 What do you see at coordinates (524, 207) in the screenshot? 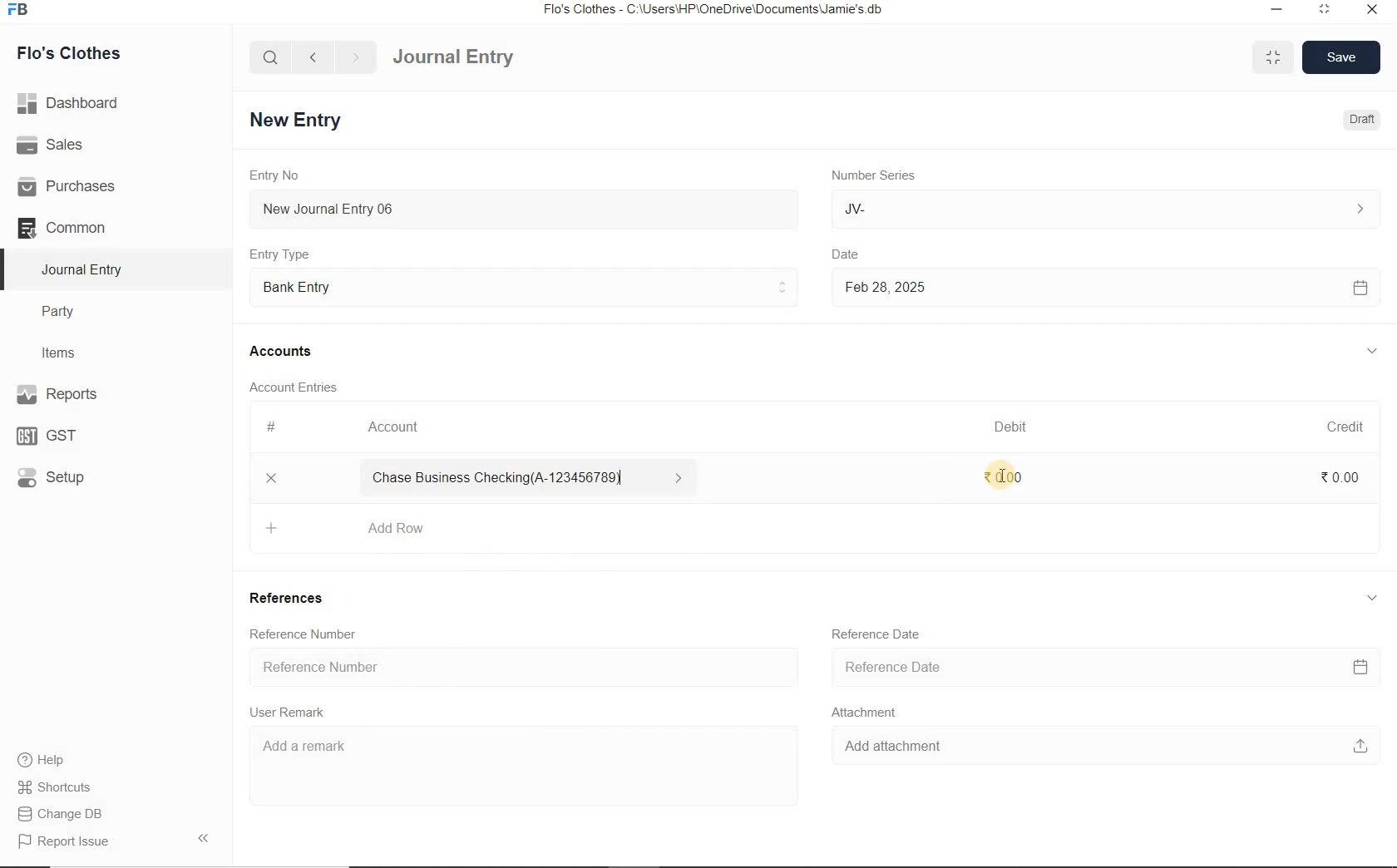
I see `New Journal Entry 06` at bounding box center [524, 207].